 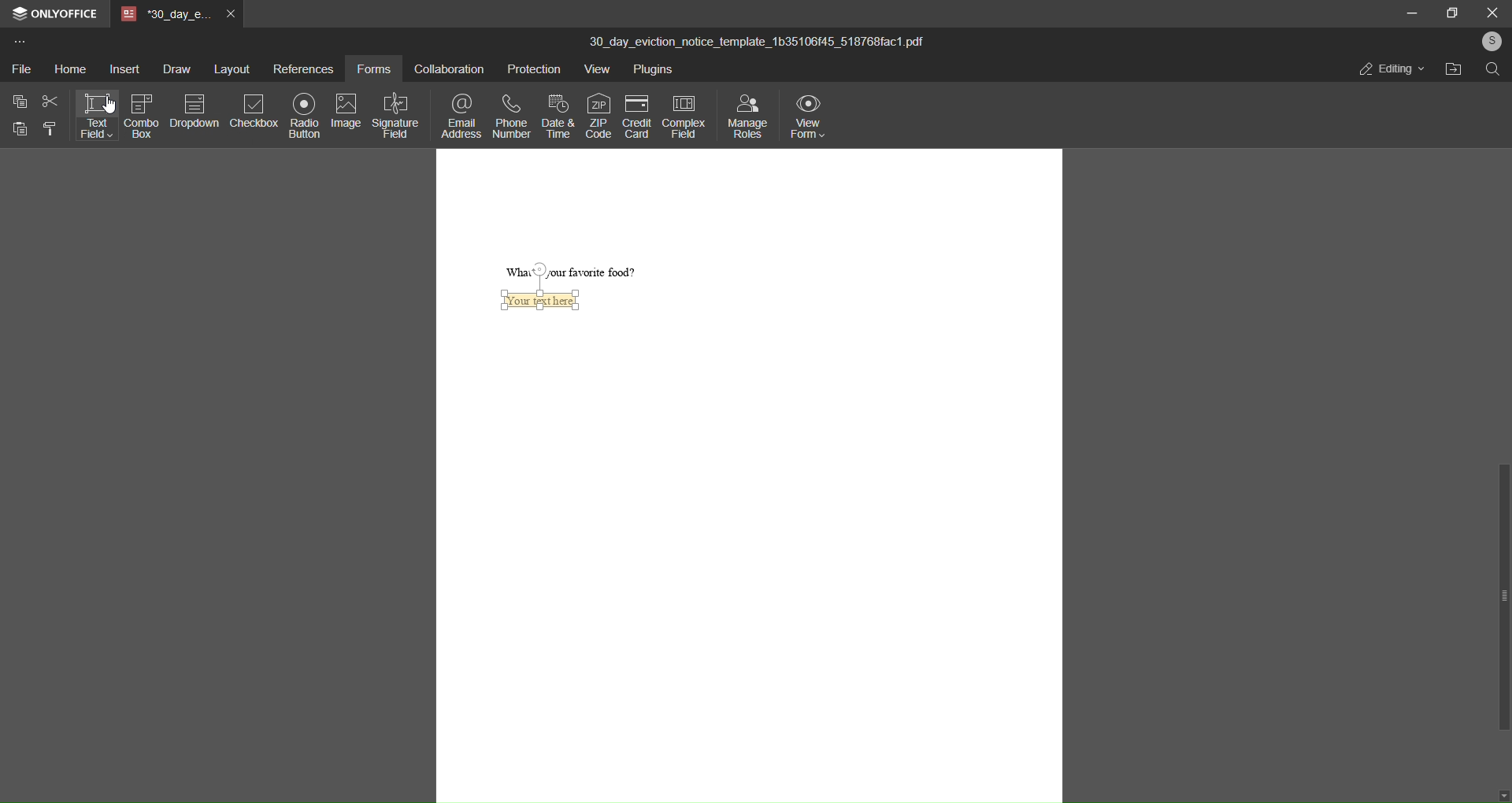 I want to click on inserted text field , so click(x=547, y=302).